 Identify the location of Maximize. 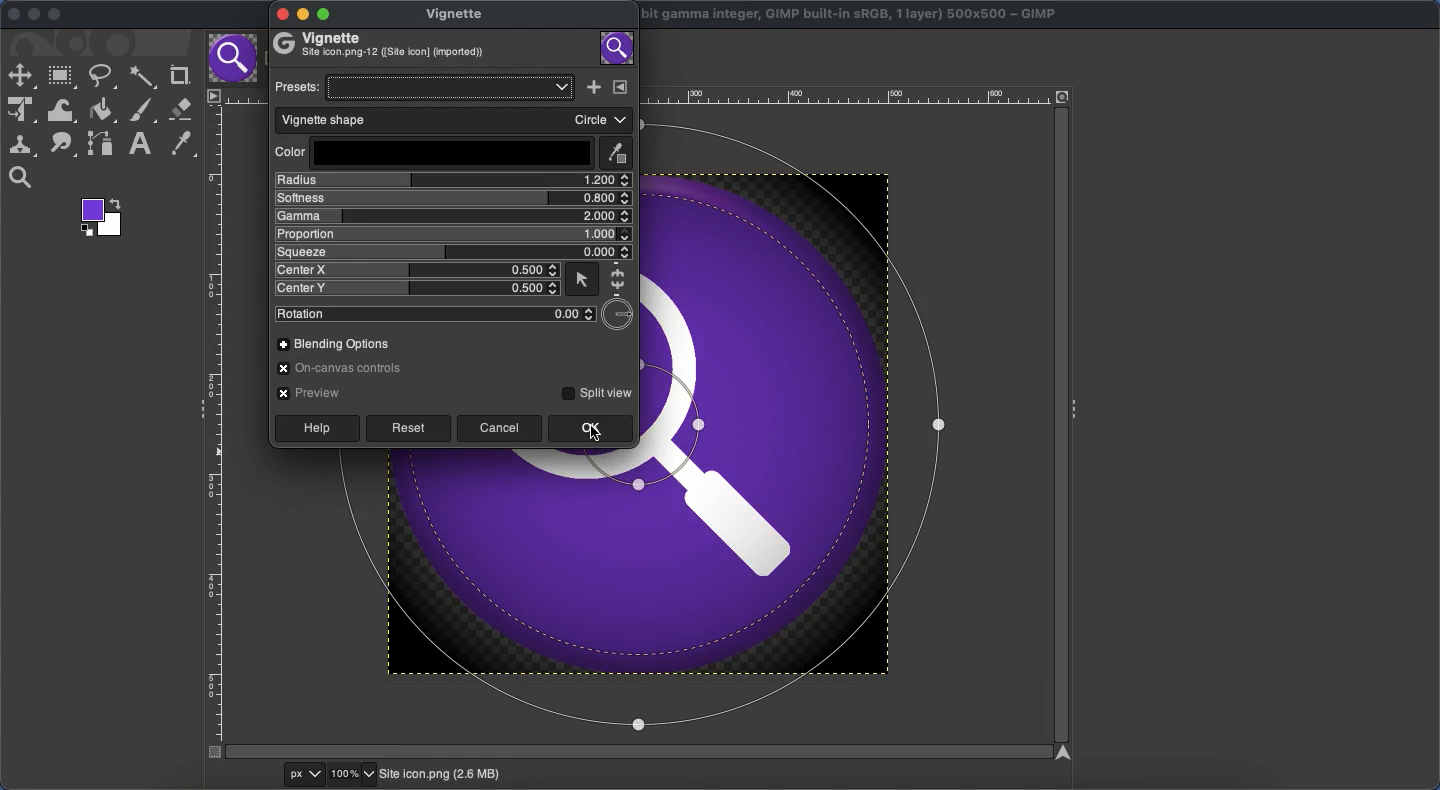
(55, 16).